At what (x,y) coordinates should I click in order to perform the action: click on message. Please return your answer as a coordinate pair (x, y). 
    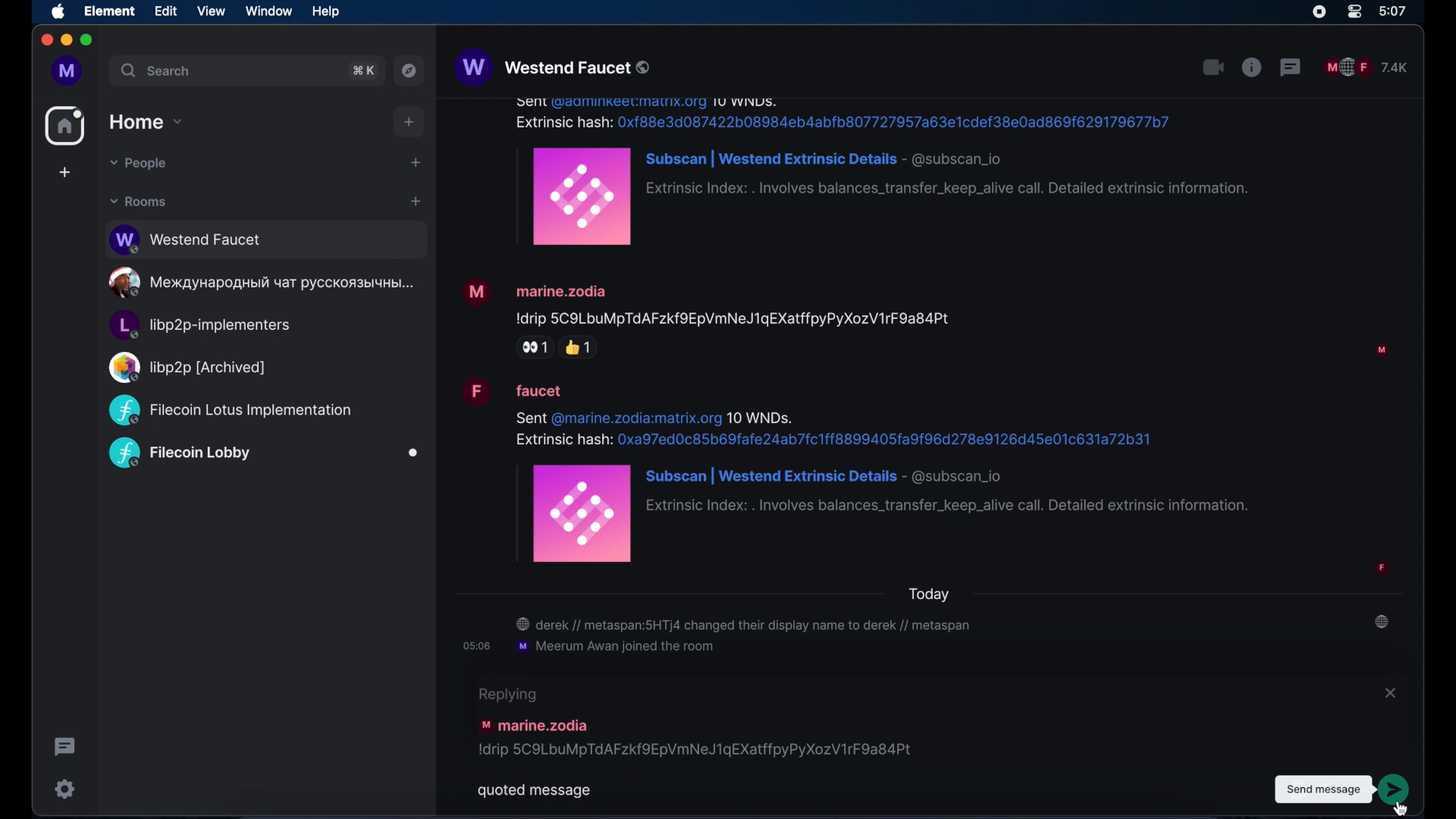
    Looking at the image, I should click on (692, 726).